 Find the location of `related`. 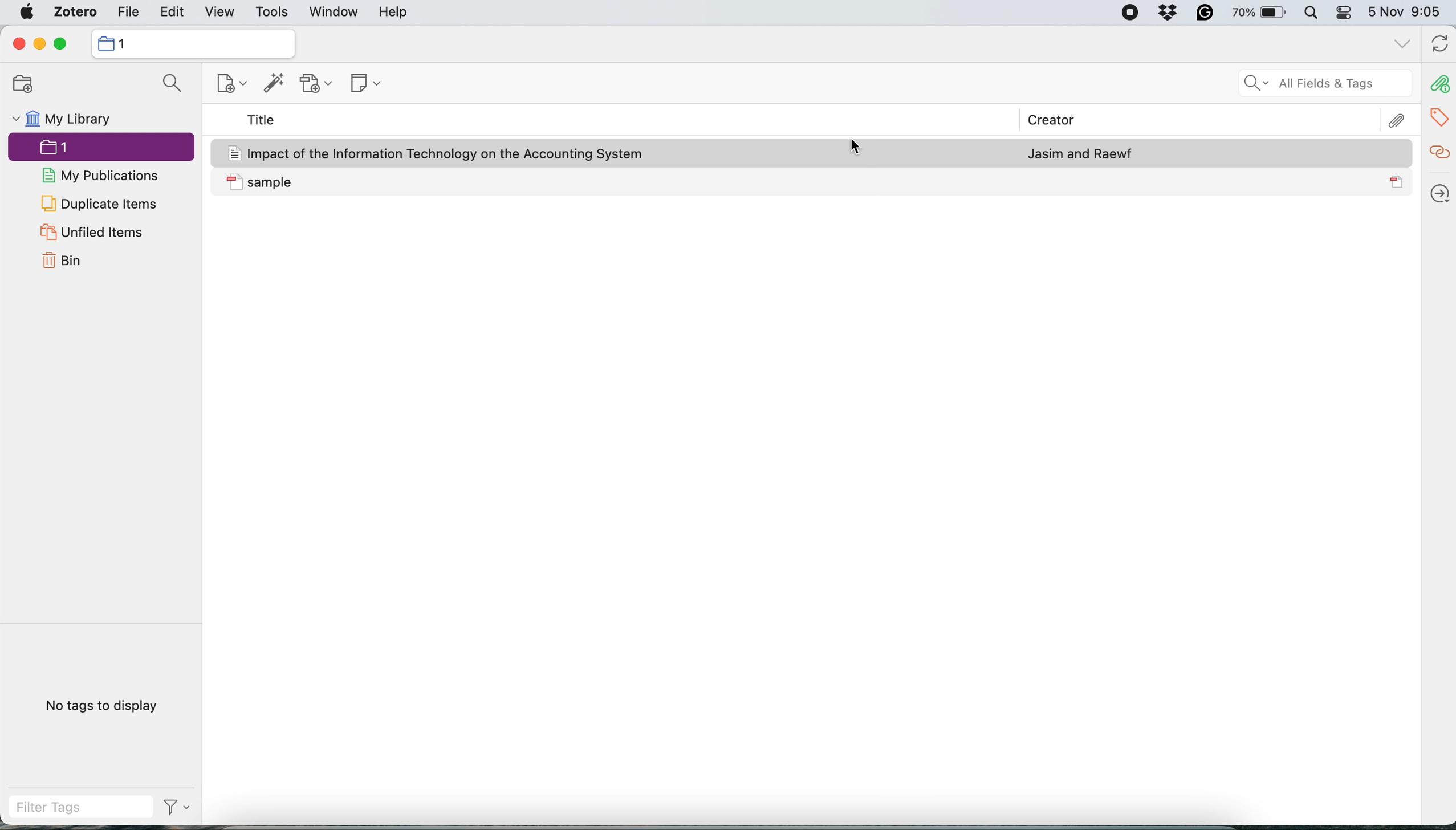

related is located at coordinates (1438, 150).